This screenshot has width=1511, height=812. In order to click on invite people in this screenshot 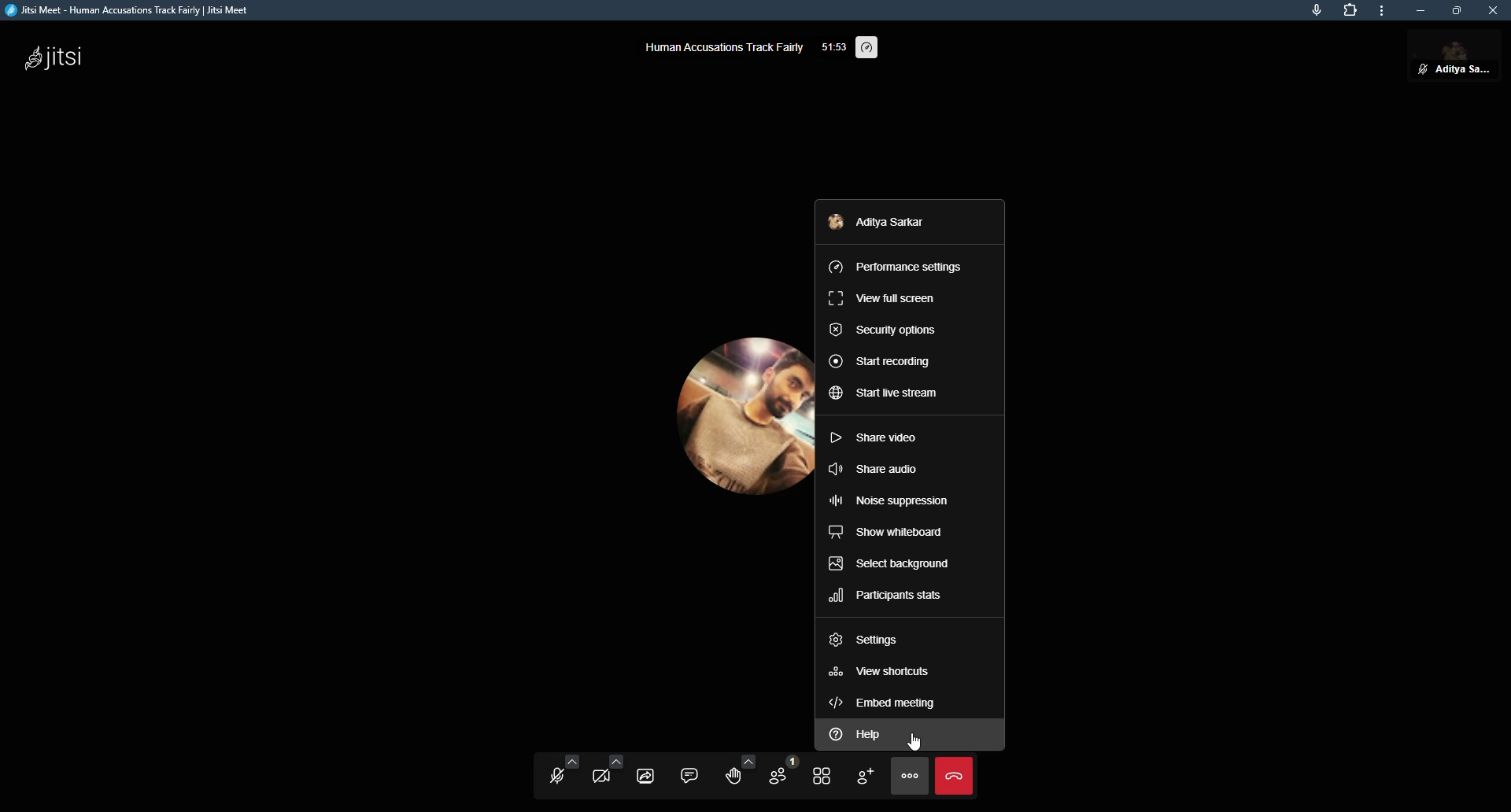, I will do `click(865, 776)`.